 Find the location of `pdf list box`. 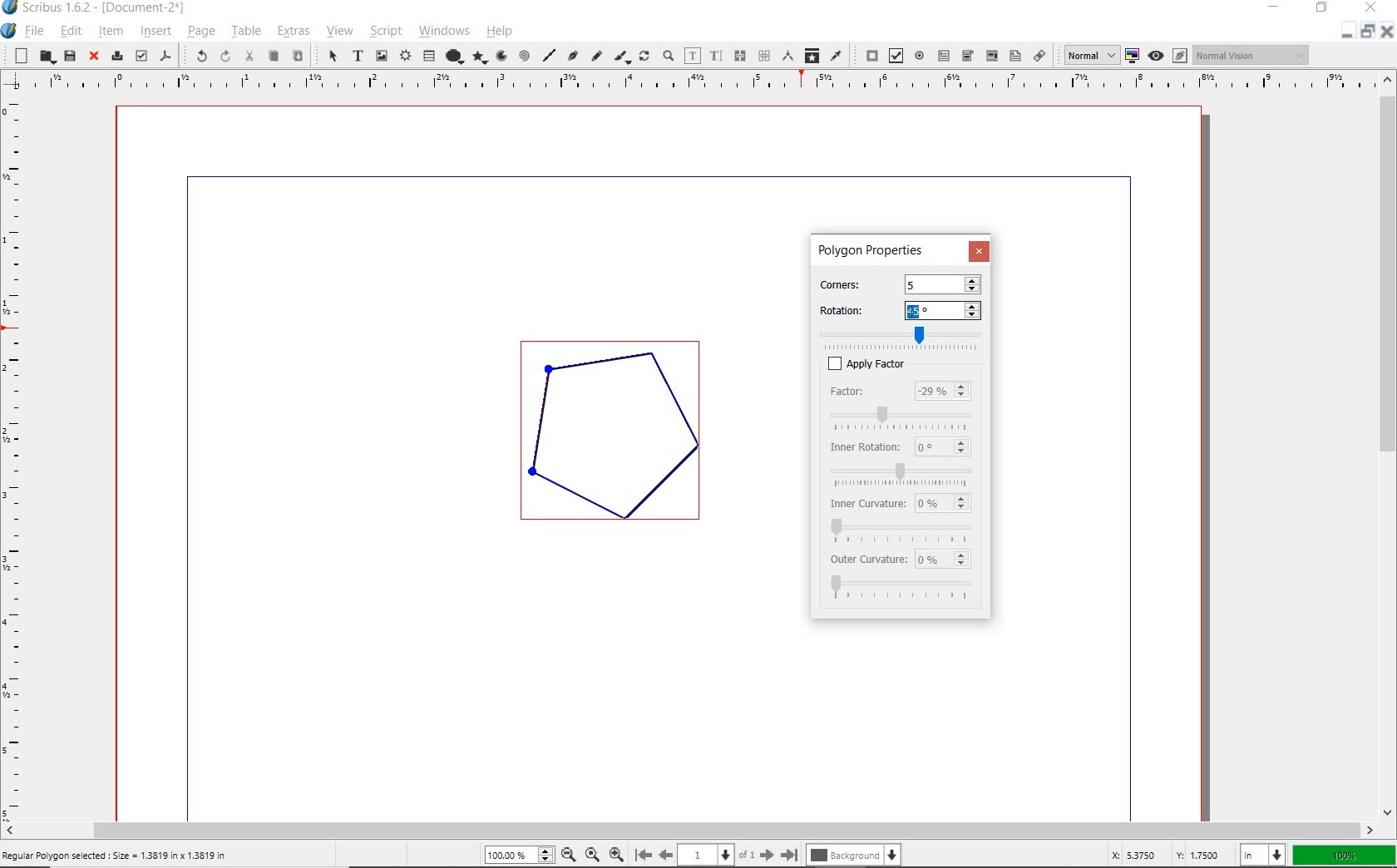

pdf list box is located at coordinates (1015, 57).